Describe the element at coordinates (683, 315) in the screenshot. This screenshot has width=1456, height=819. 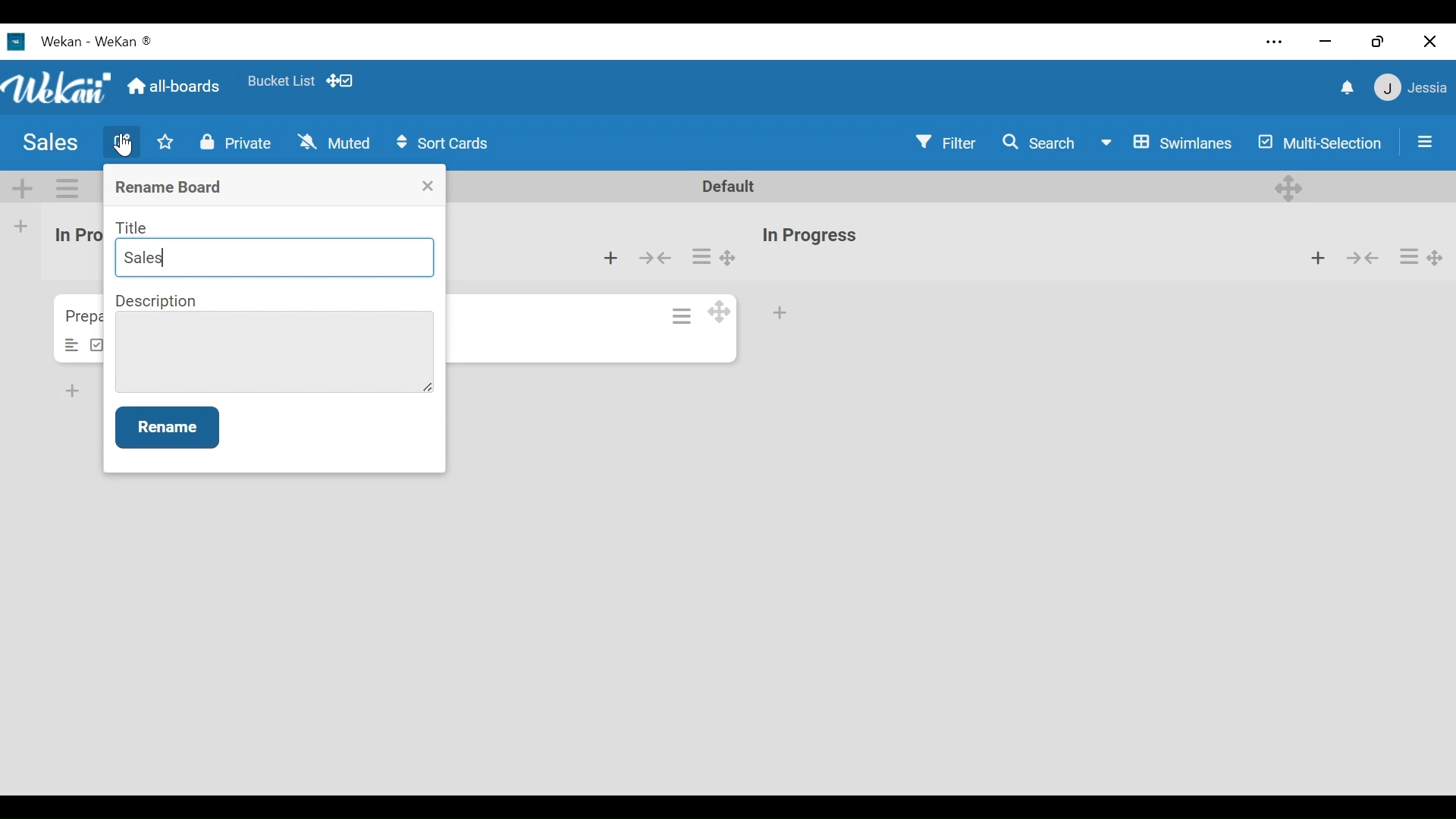
I see `Card actions` at that location.